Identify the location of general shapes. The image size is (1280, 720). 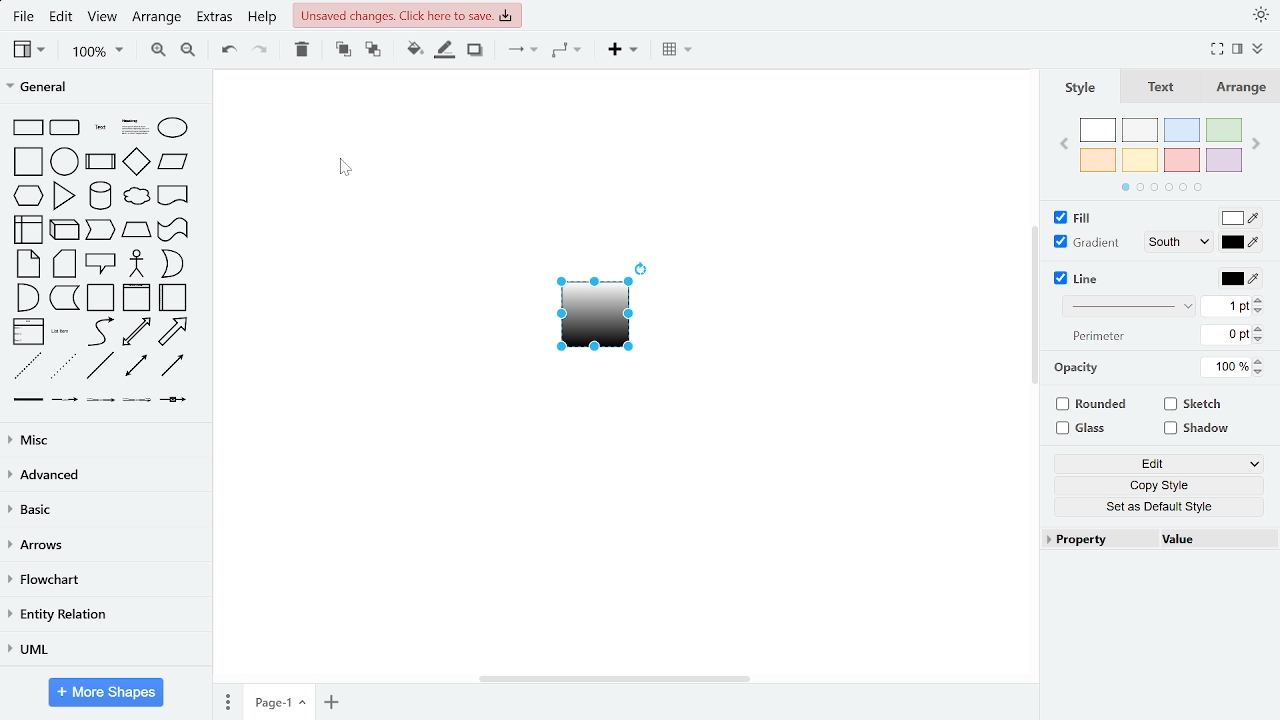
(136, 197).